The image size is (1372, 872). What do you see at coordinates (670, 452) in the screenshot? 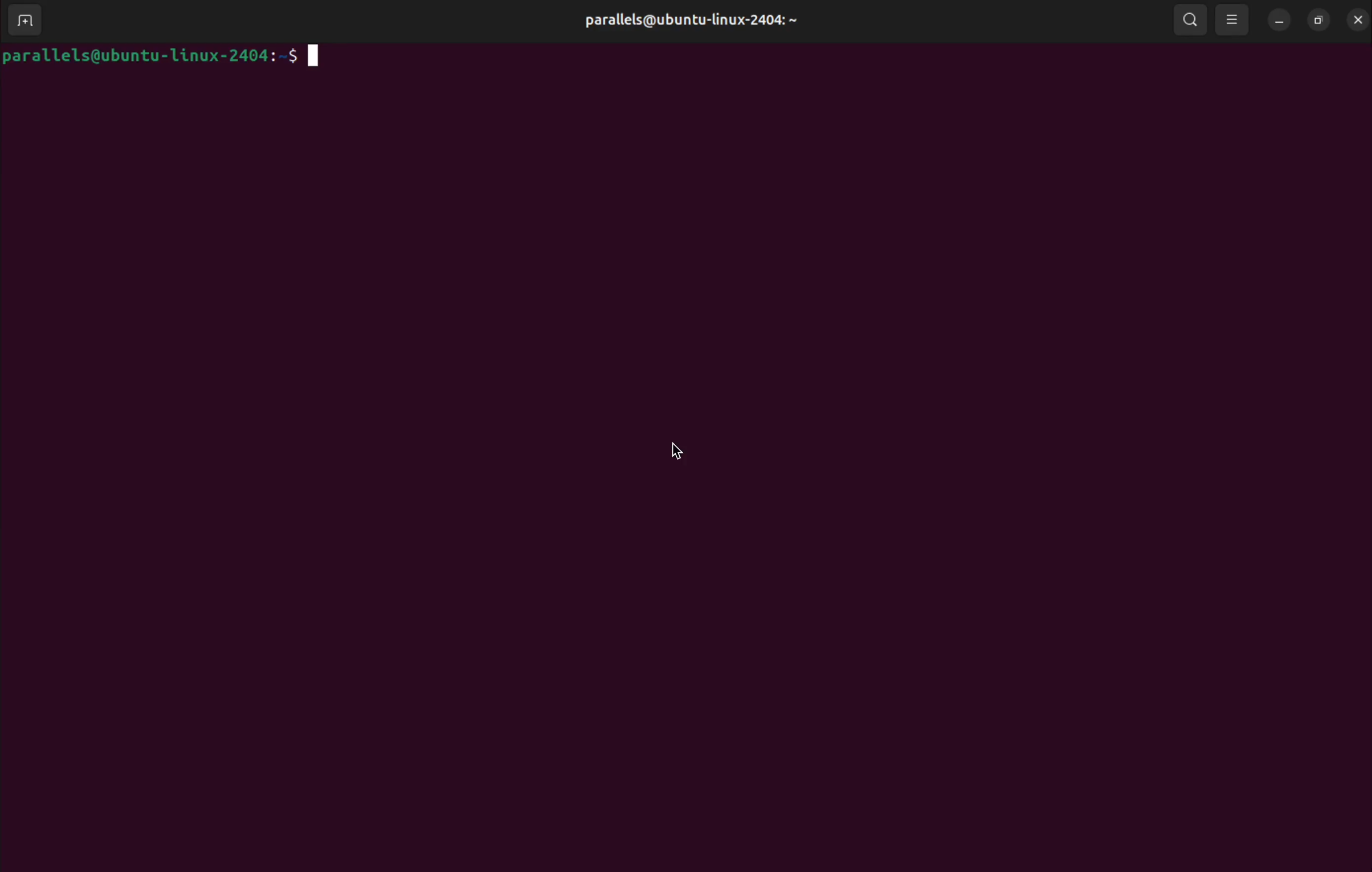
I see `cursor` at bounding box center [670, 452].